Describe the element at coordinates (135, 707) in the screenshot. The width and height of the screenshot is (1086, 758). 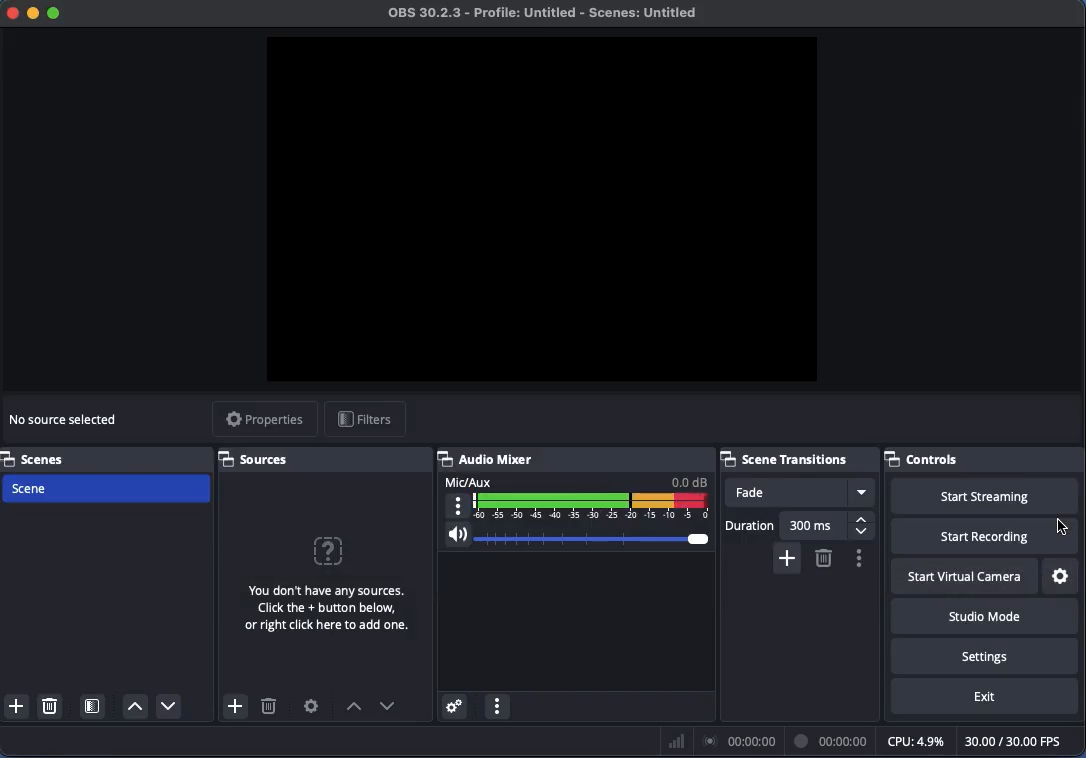
I see `Move up` at that location.